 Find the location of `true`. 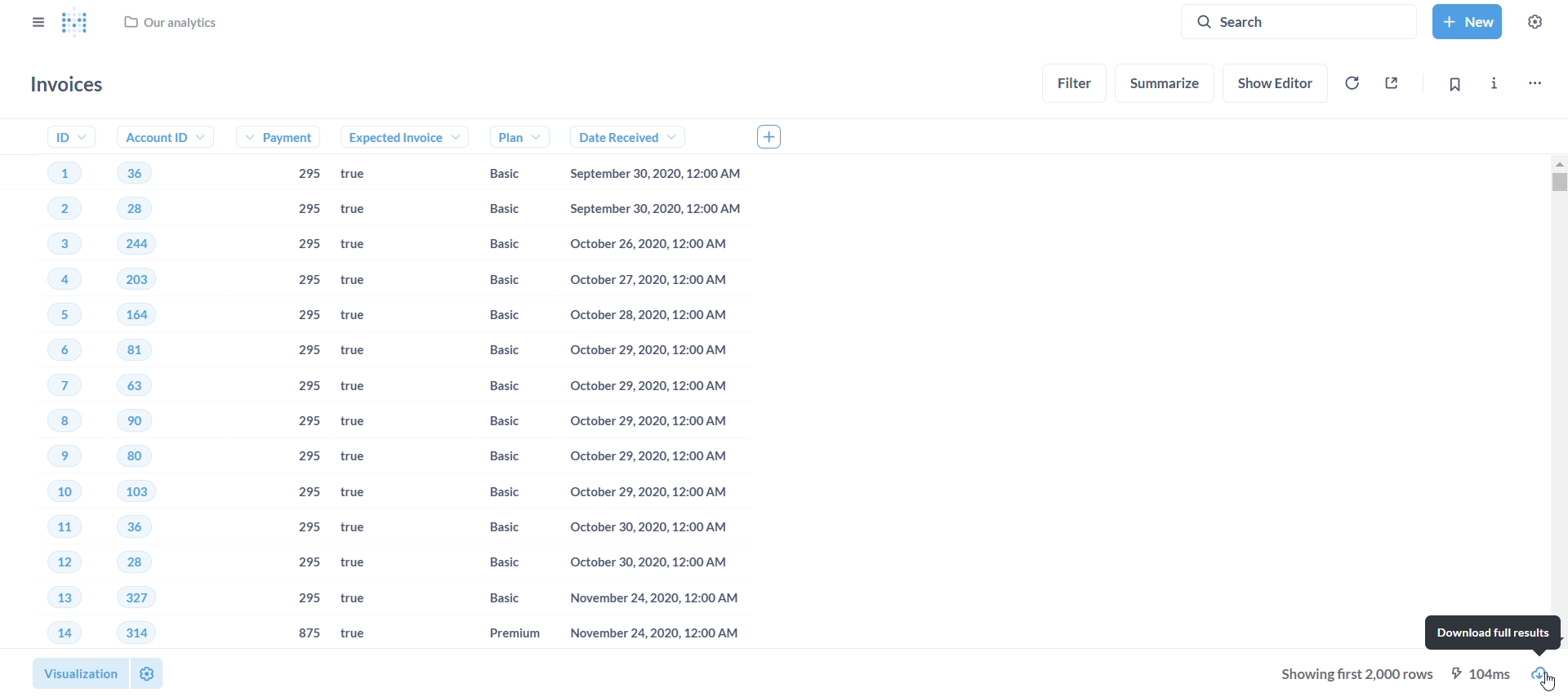

true is located at coordinates (362, 281).